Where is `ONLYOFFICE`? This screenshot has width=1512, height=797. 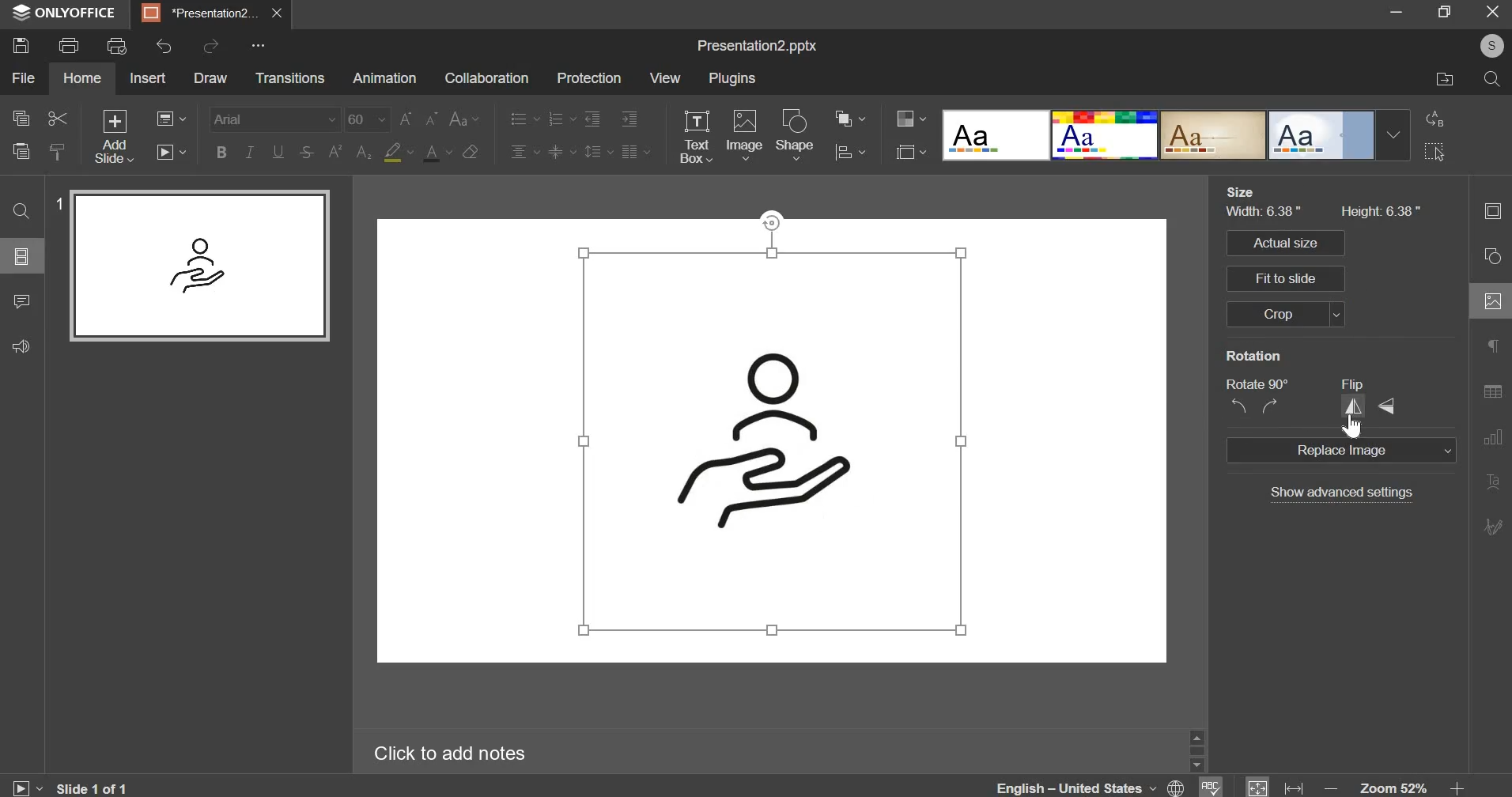 ONLYOFFICE is located at coordinates (65, 13).